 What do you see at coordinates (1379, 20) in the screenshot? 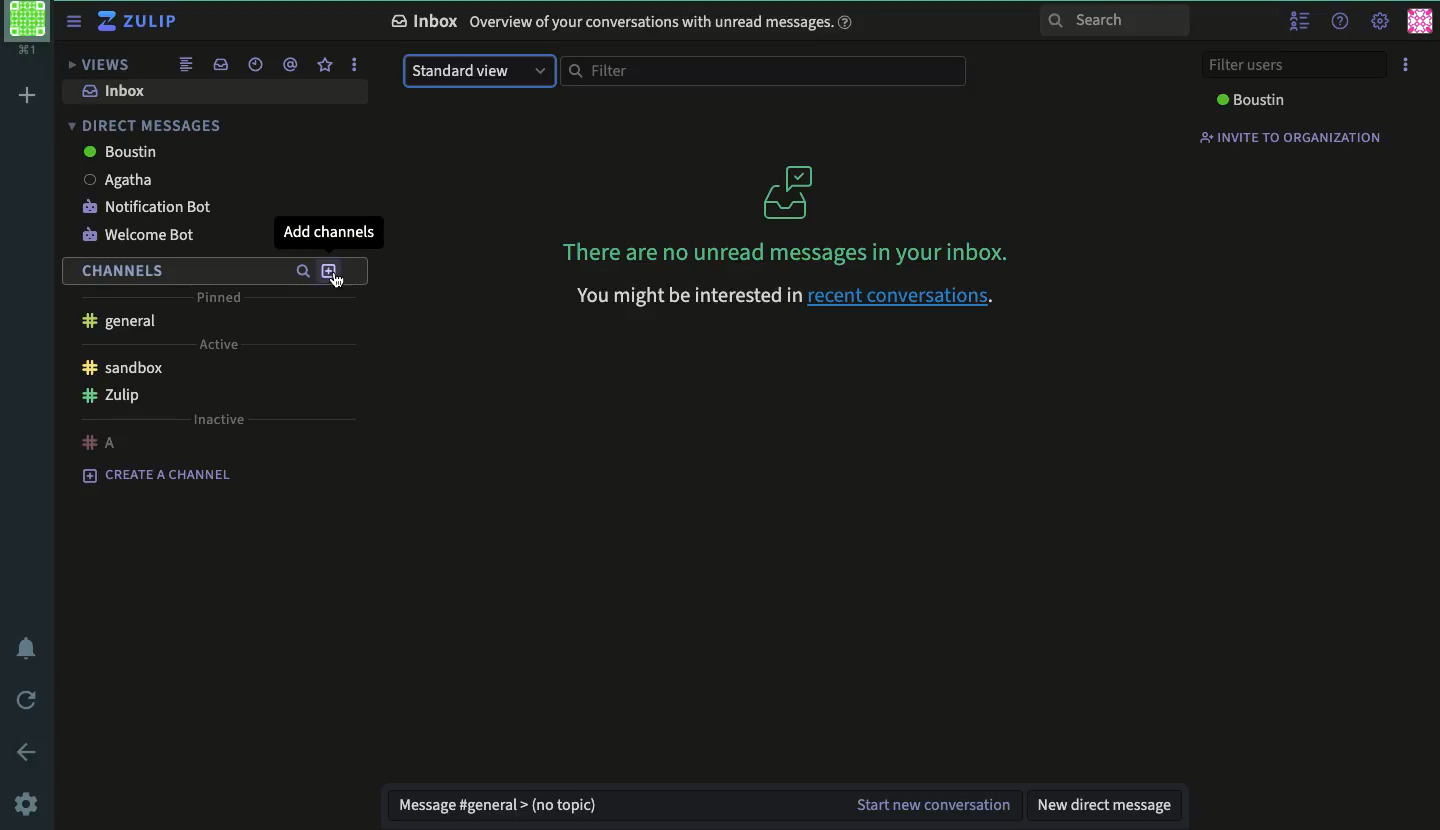
I see `settings` at bounding box center [1379, 20].